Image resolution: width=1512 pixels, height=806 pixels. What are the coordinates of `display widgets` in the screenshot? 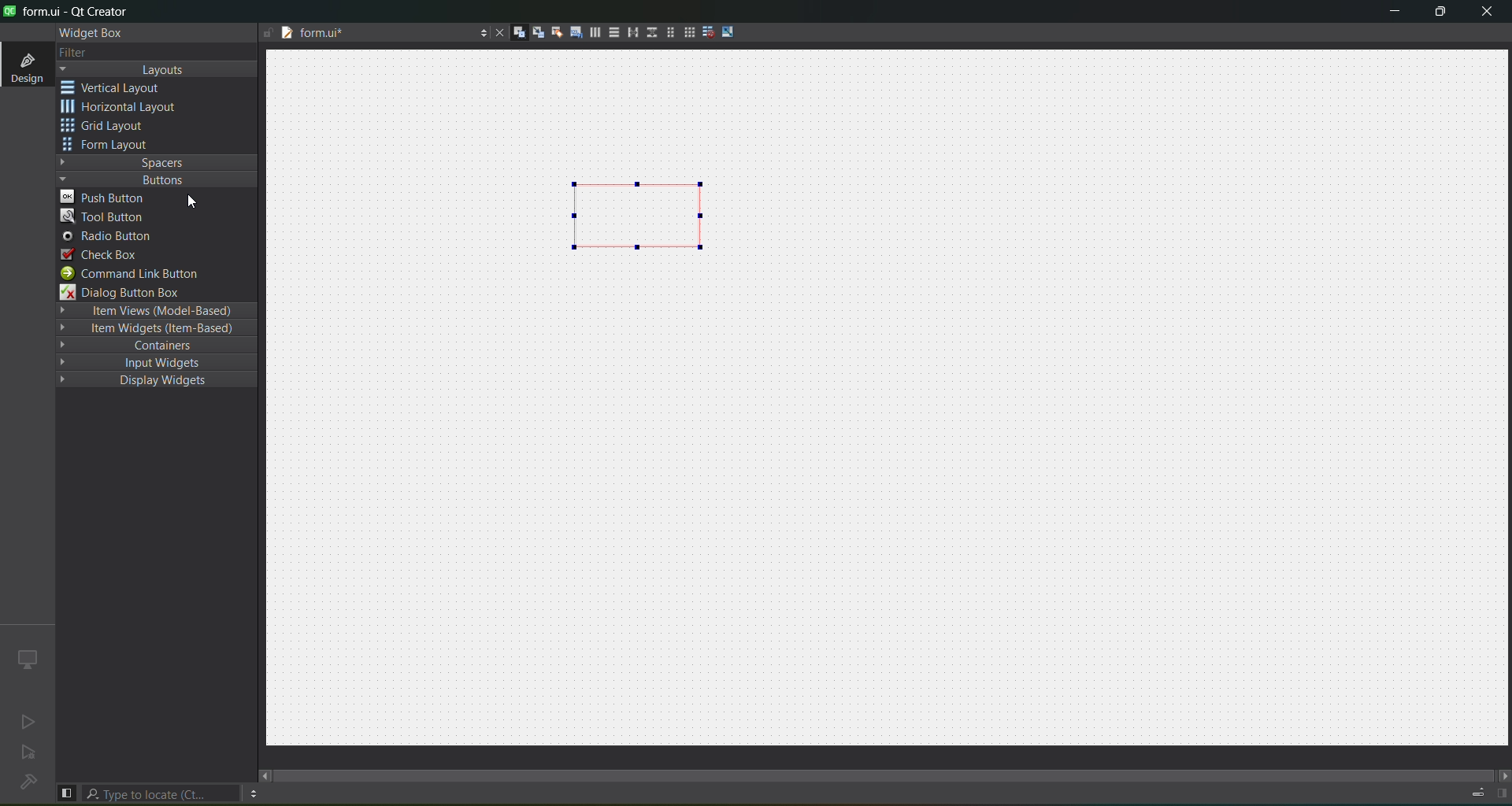 It's located at (145, 381).